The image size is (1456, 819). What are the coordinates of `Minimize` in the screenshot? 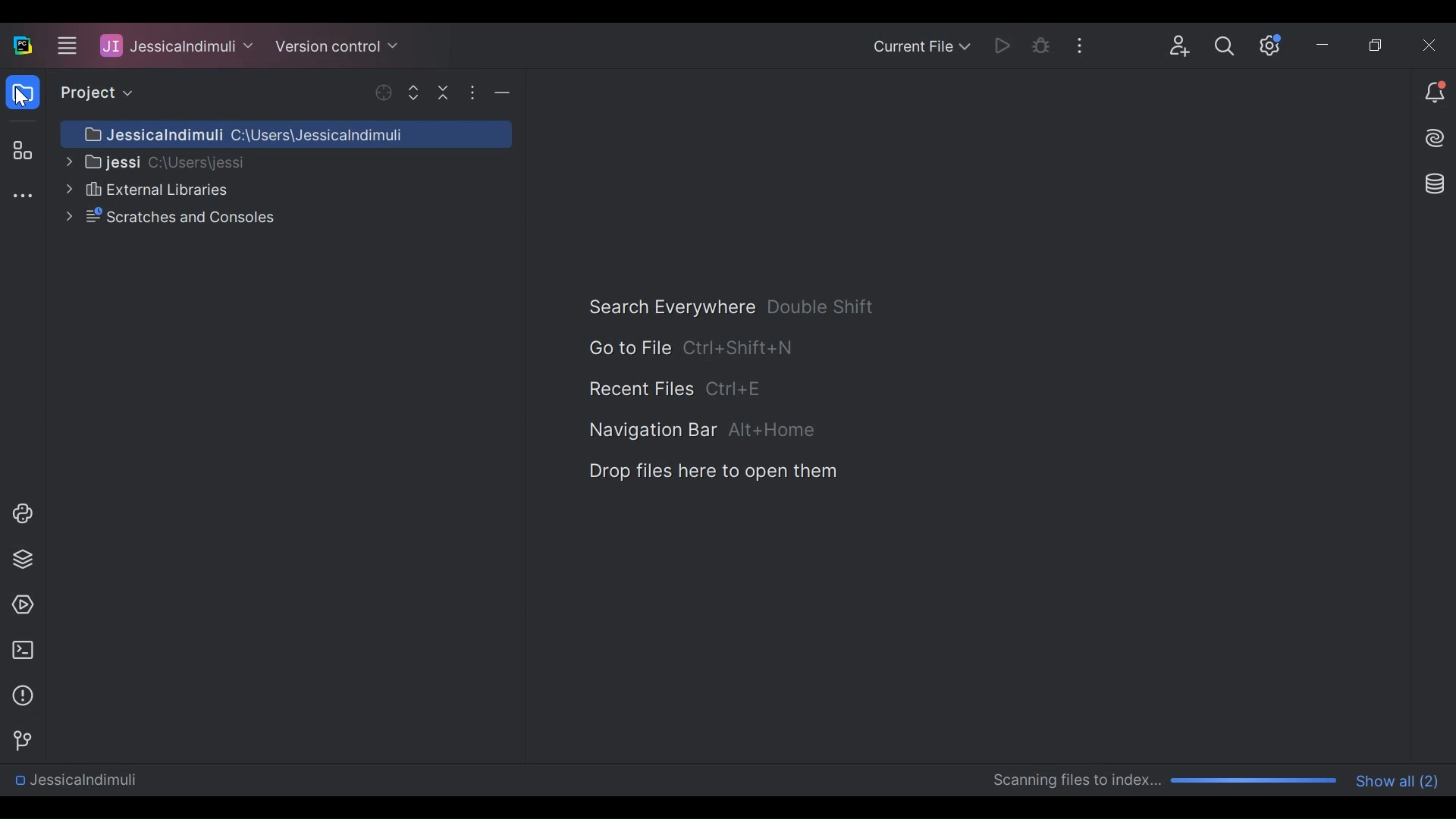 It's located at (1323, 45).